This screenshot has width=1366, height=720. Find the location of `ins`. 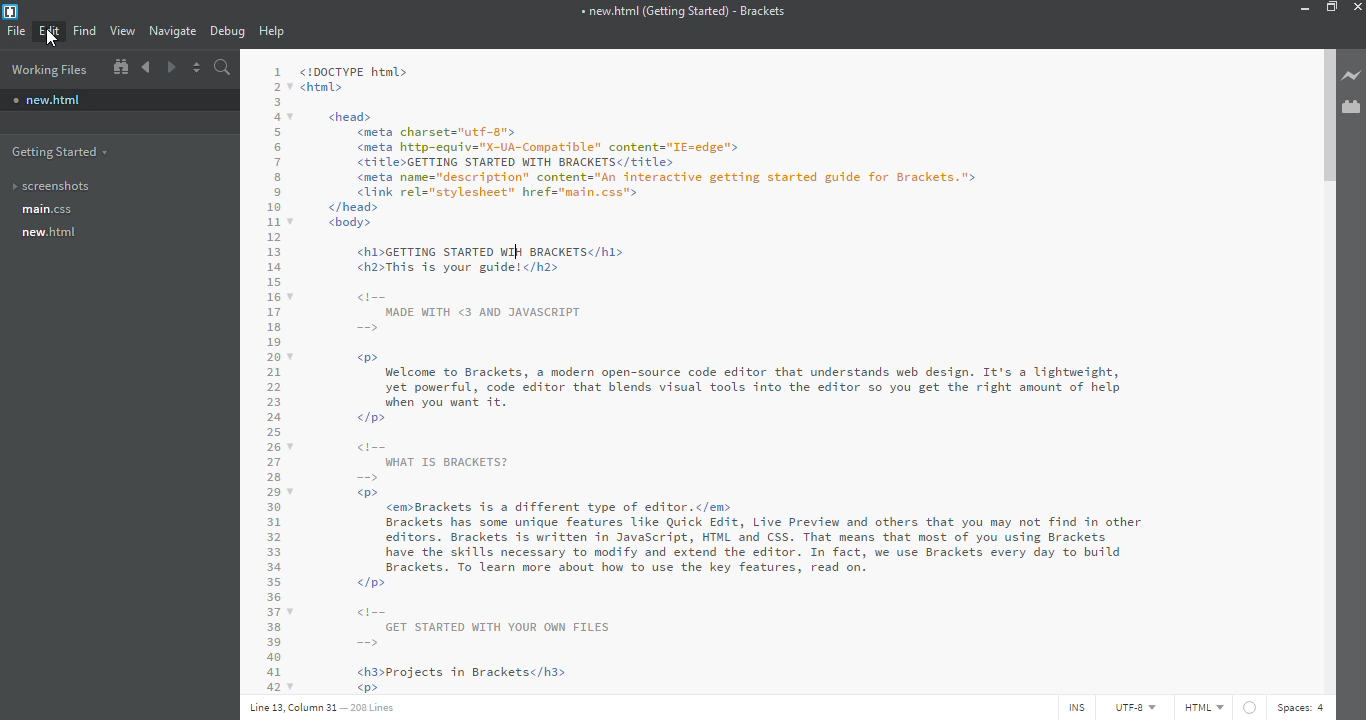

ins is located at coordinates (1074, 708).